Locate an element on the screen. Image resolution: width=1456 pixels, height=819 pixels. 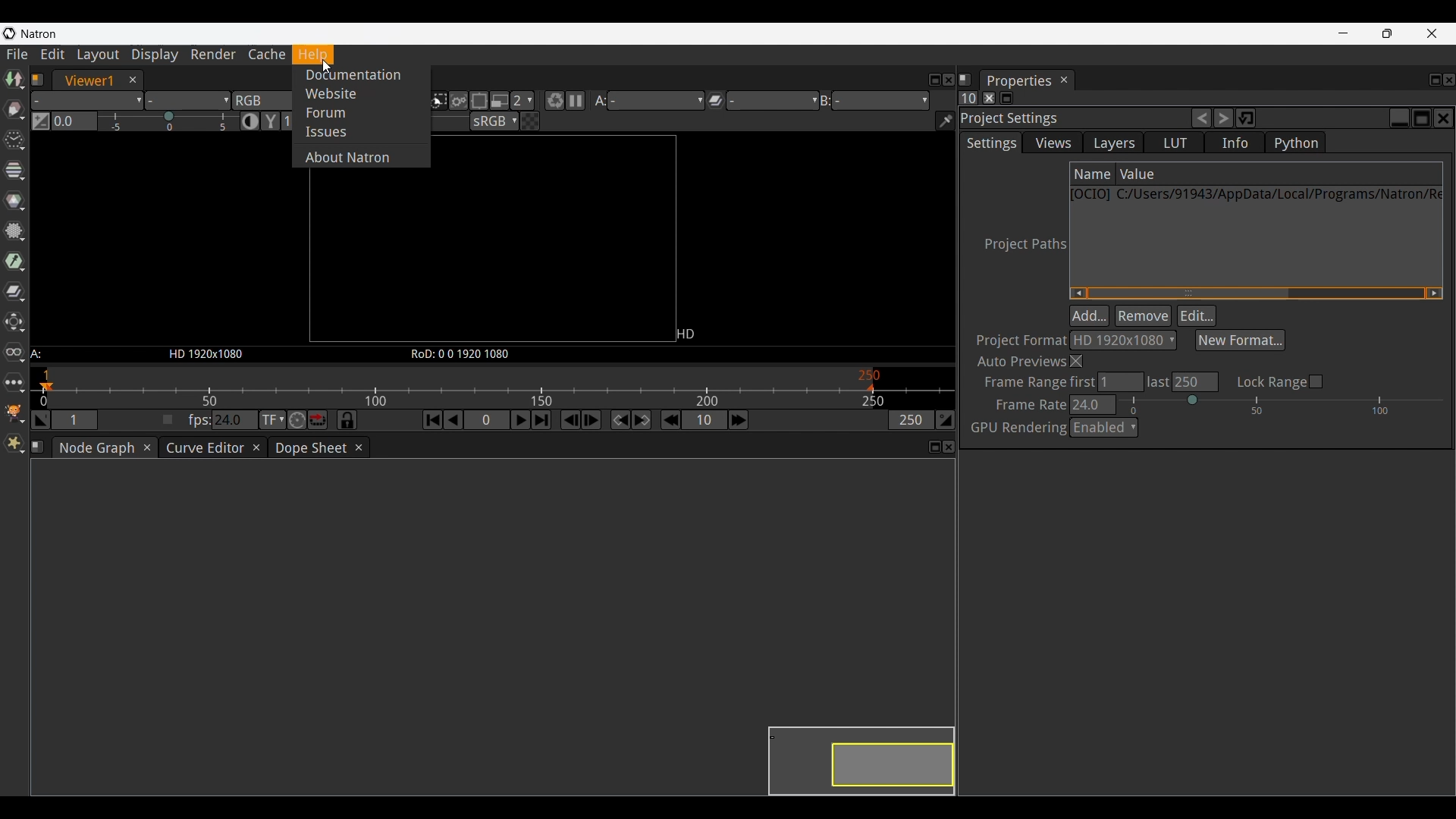
Location of current file is located at coordinates (1279, 194).